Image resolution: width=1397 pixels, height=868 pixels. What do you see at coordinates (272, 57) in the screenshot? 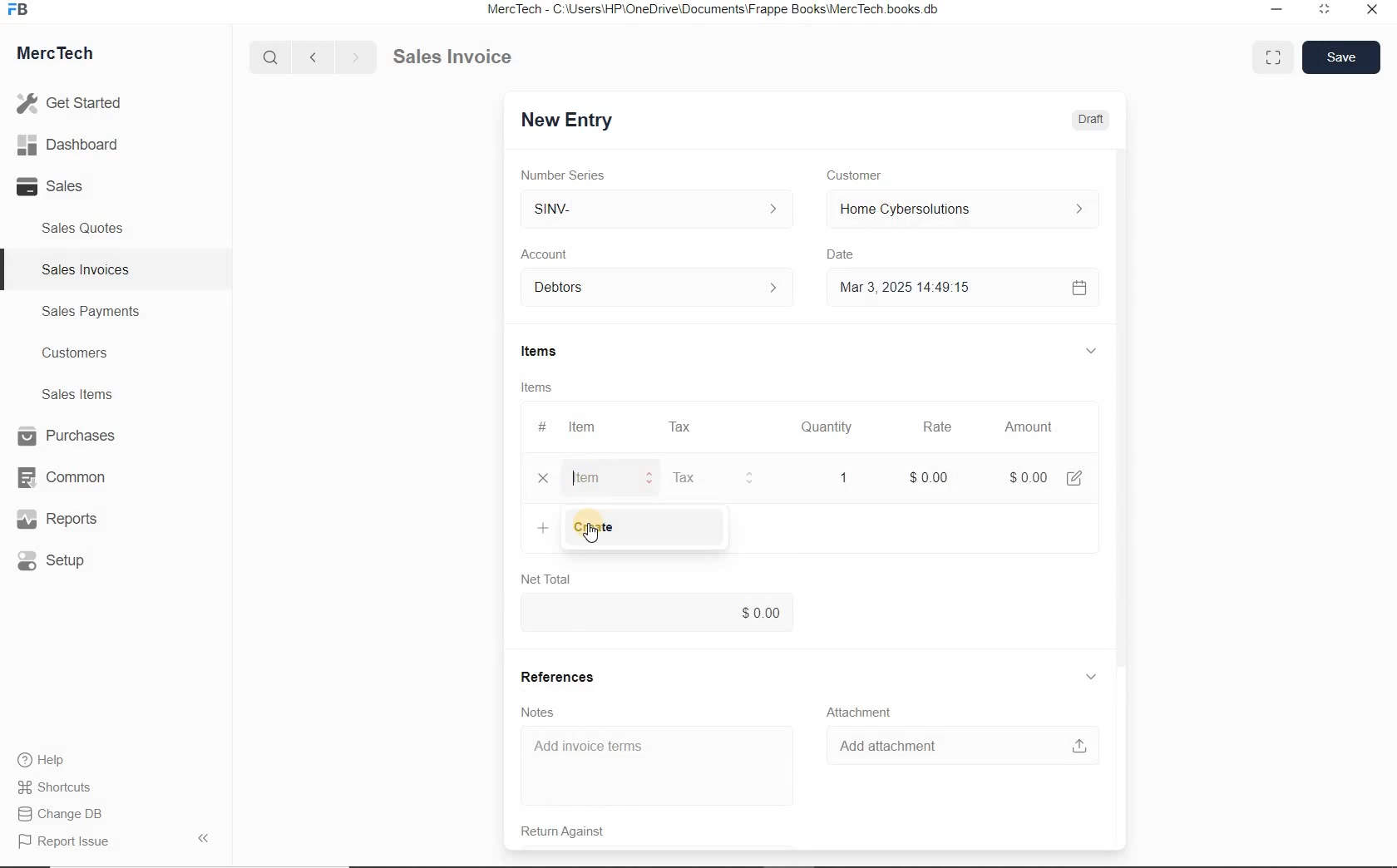
I see `Search` at bounding box center [272, 57].